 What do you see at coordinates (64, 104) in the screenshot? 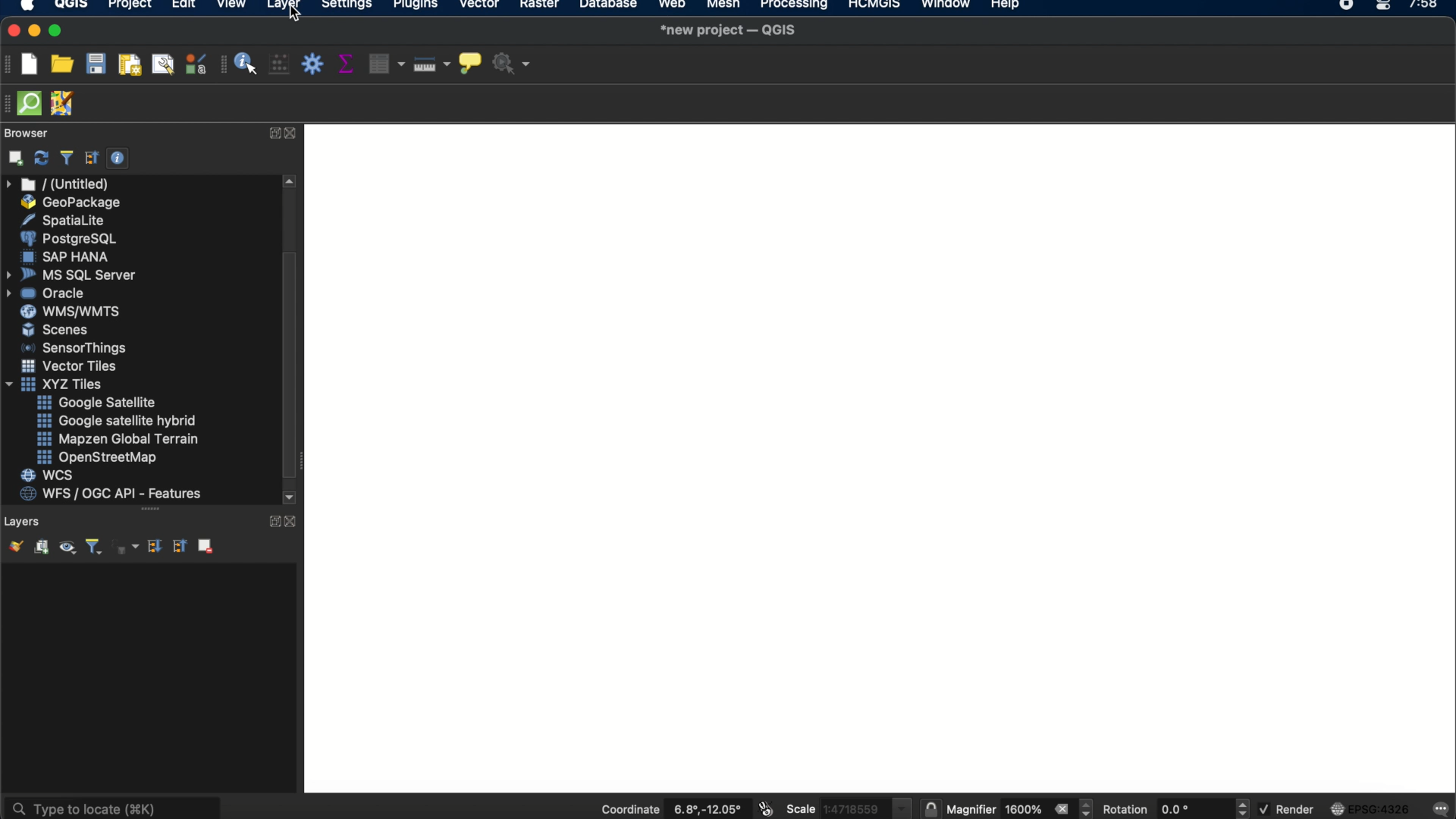
I see `JOSM remote` at bounding box center [64, 104].